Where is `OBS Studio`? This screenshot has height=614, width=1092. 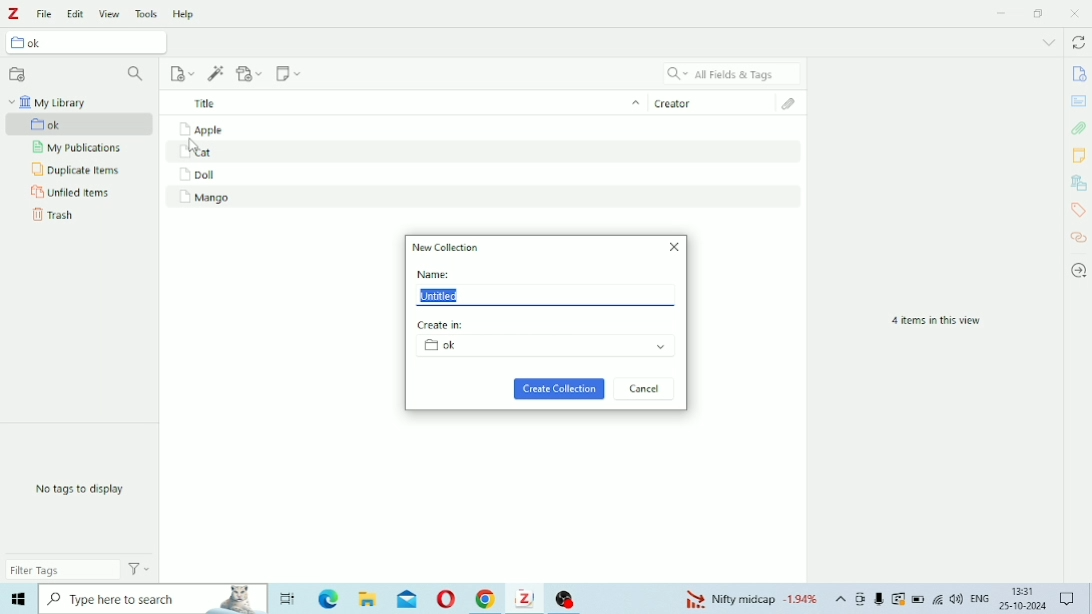 OBS Studio is located at coordinates (568, 598).